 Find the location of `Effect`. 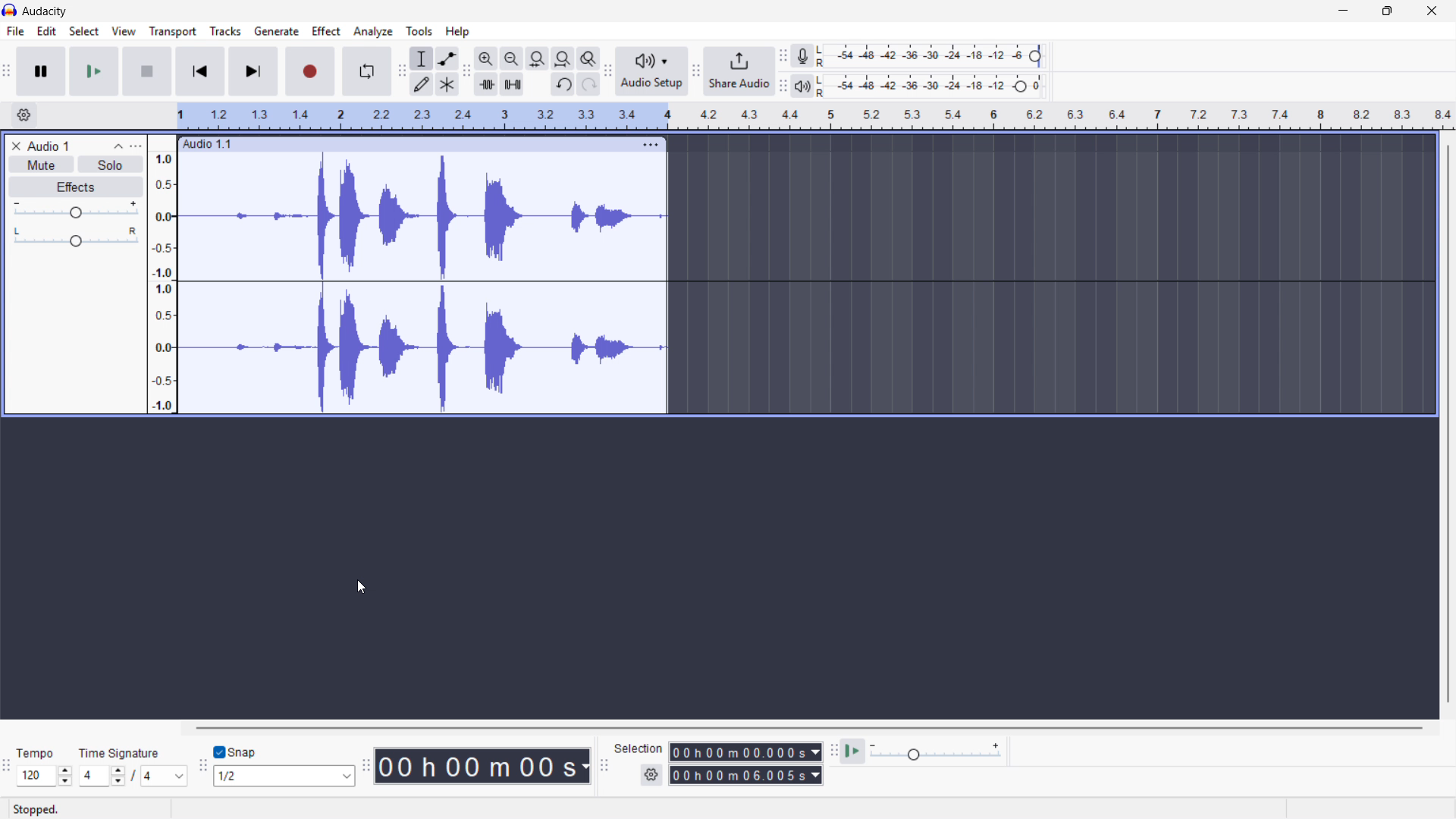

Effect is located at coordinates (327, 32).